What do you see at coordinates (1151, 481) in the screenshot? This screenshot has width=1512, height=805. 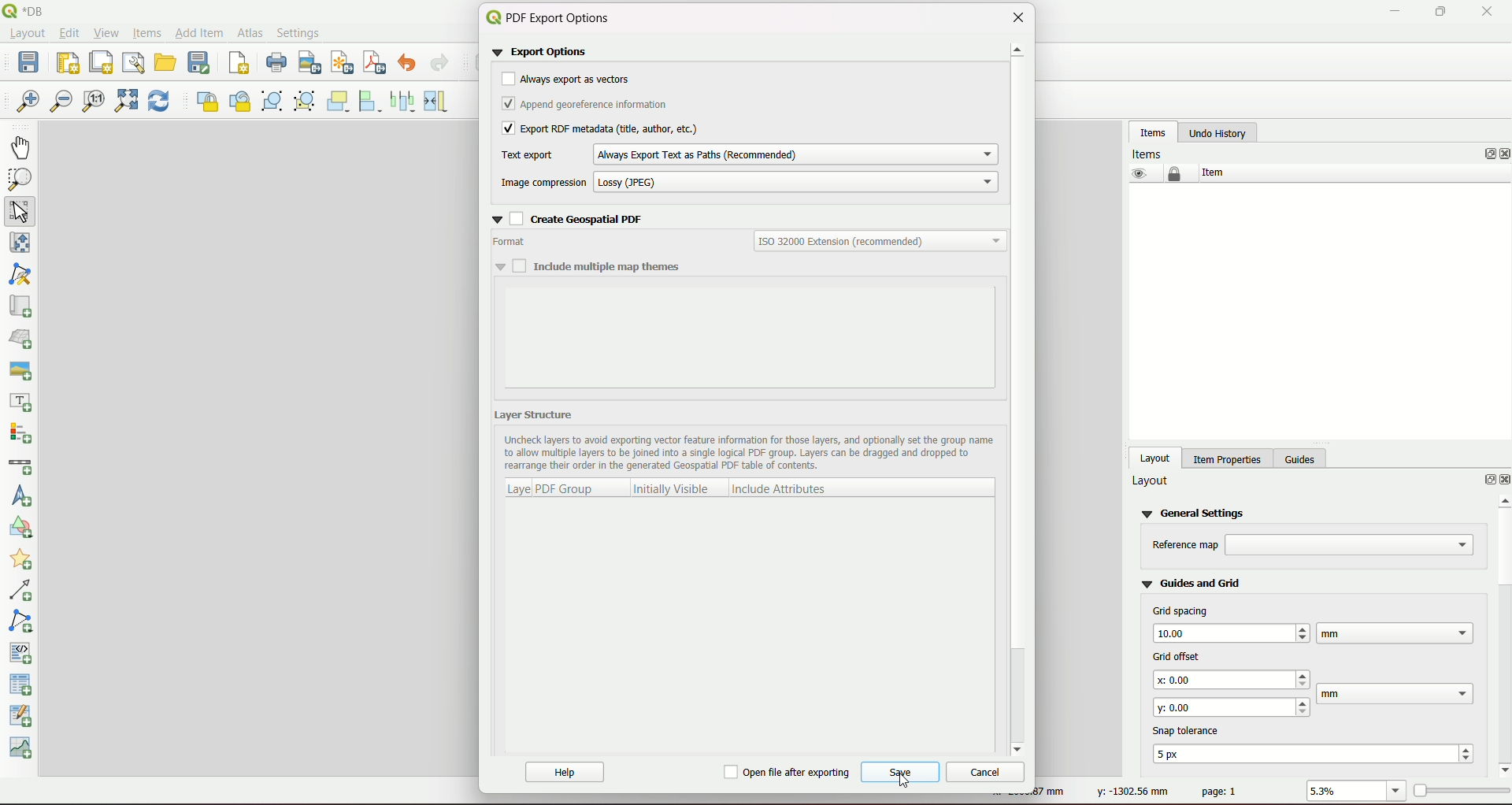 I see `layout` at bounding box center [1151, 481].